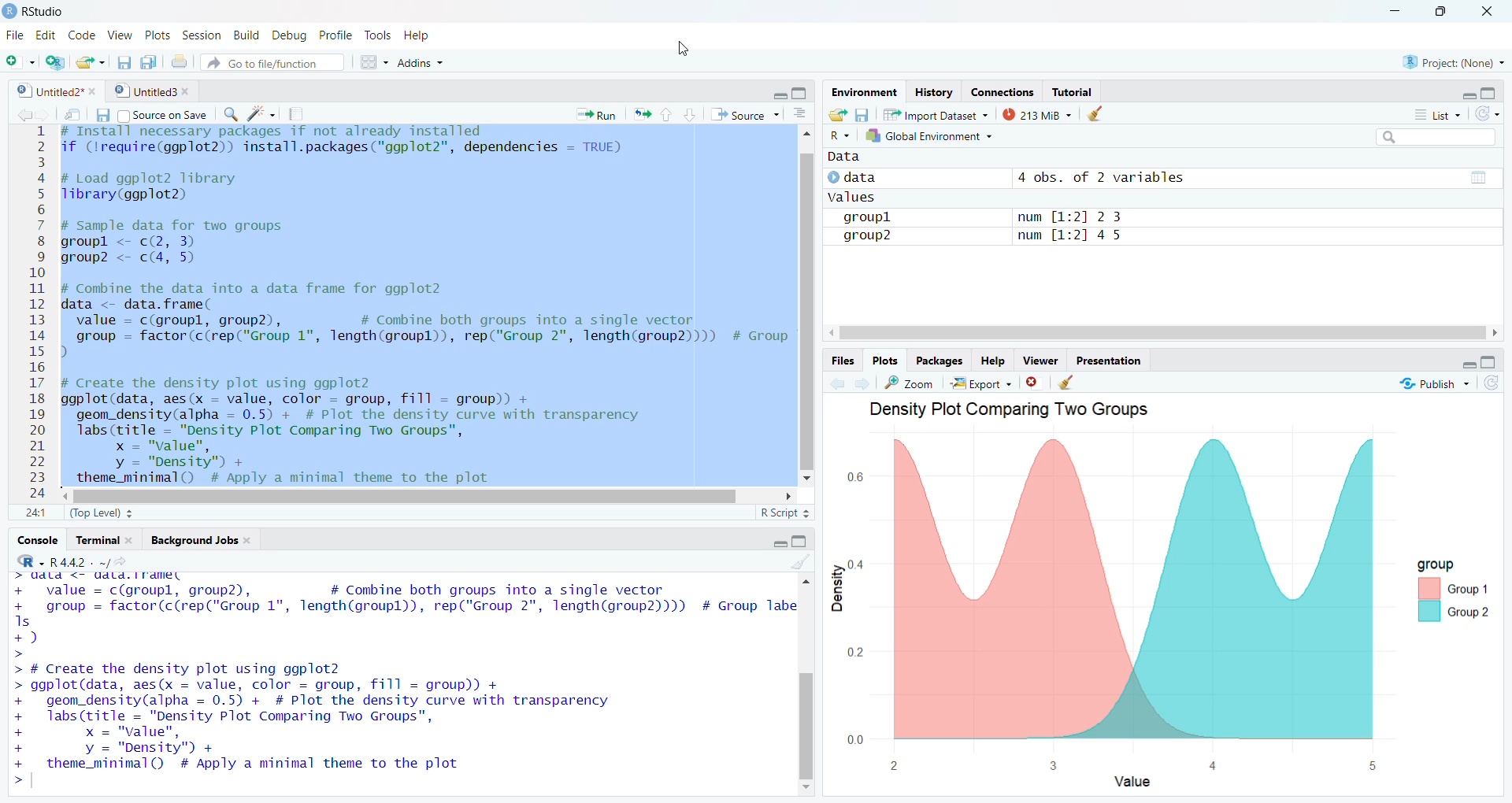 Image resolution: width=1512 pixels, height=803 pixels. I want to click on next, so click(866, 383).